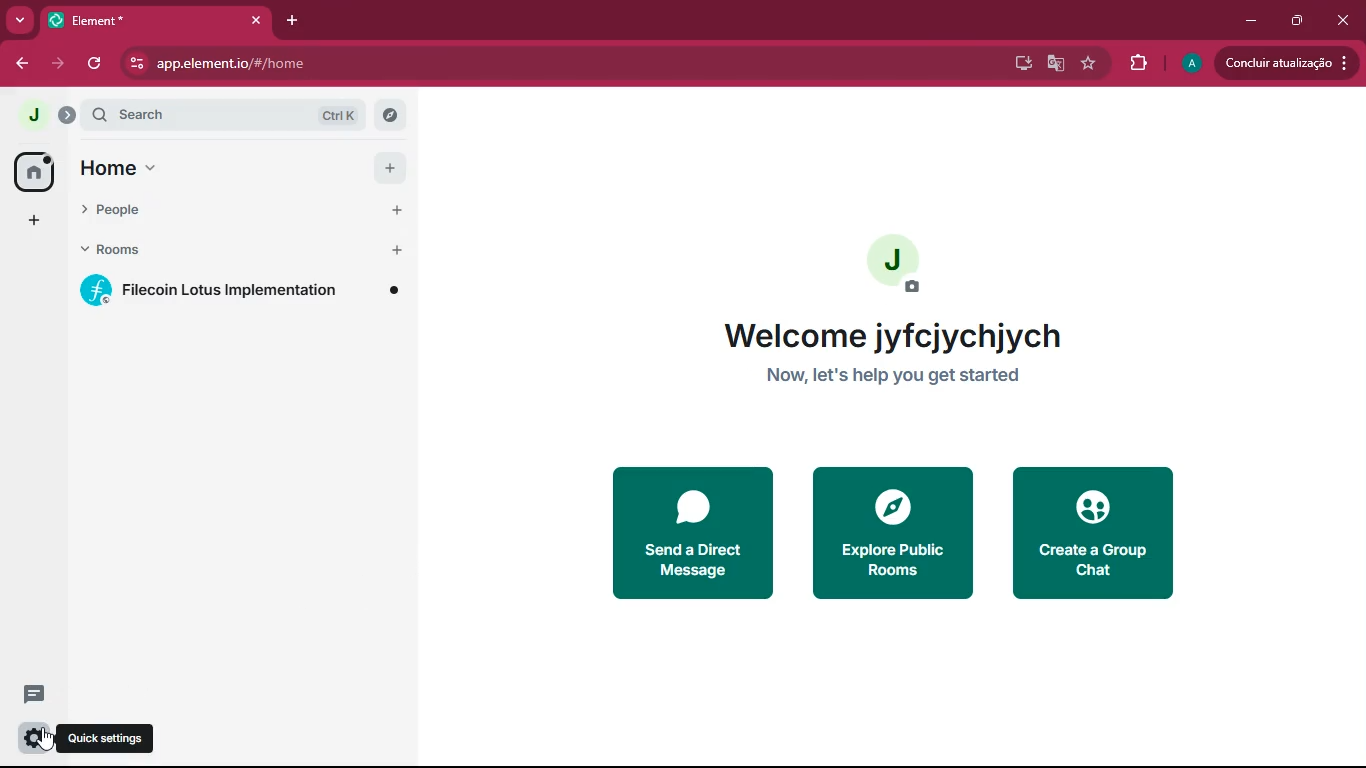 This screenshot has height=768, width=1366. I want to click on concluir atualizacao, so click(1287, 62).